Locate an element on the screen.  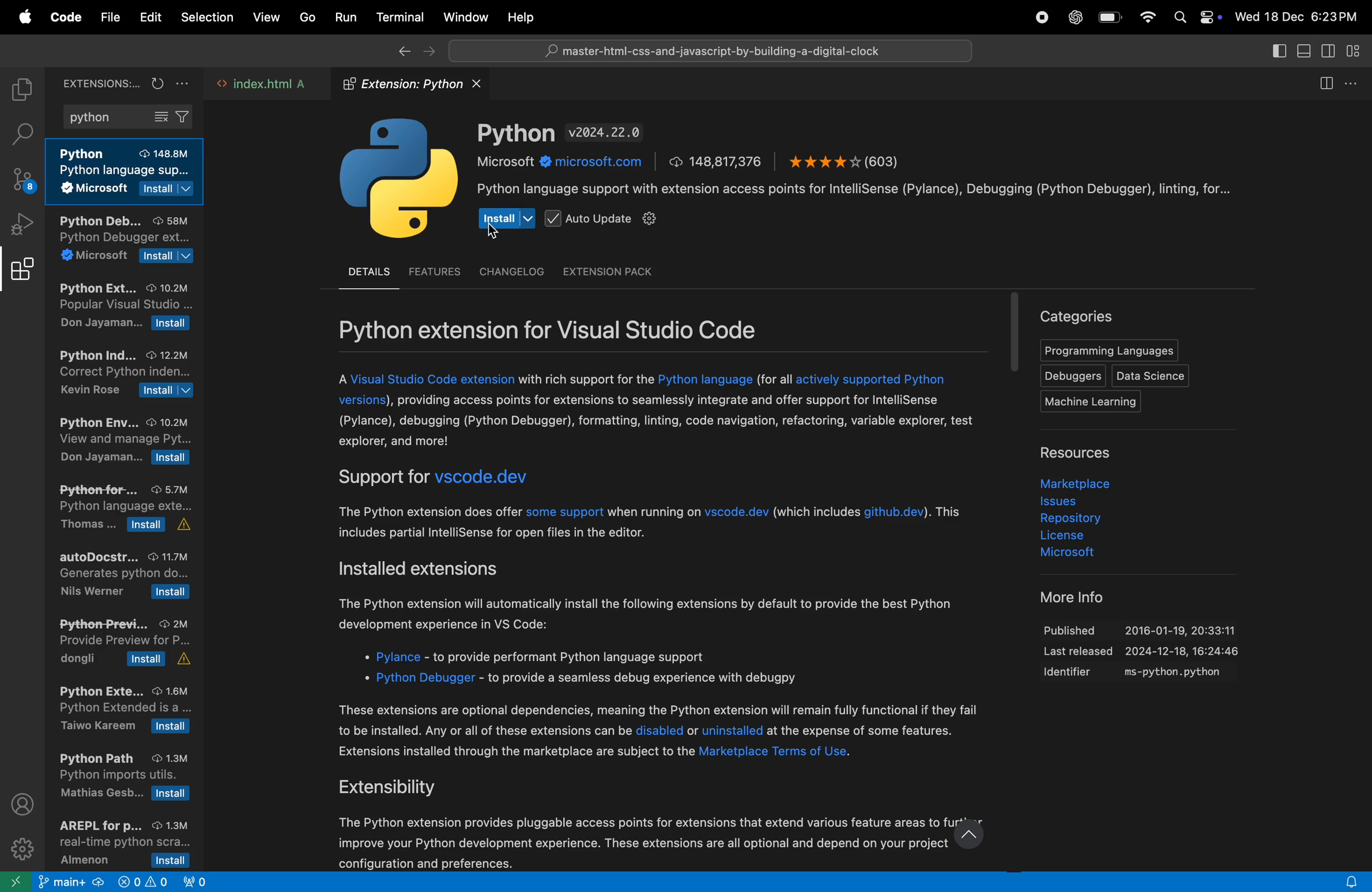
split editor is located at coordinates (1330, 82).